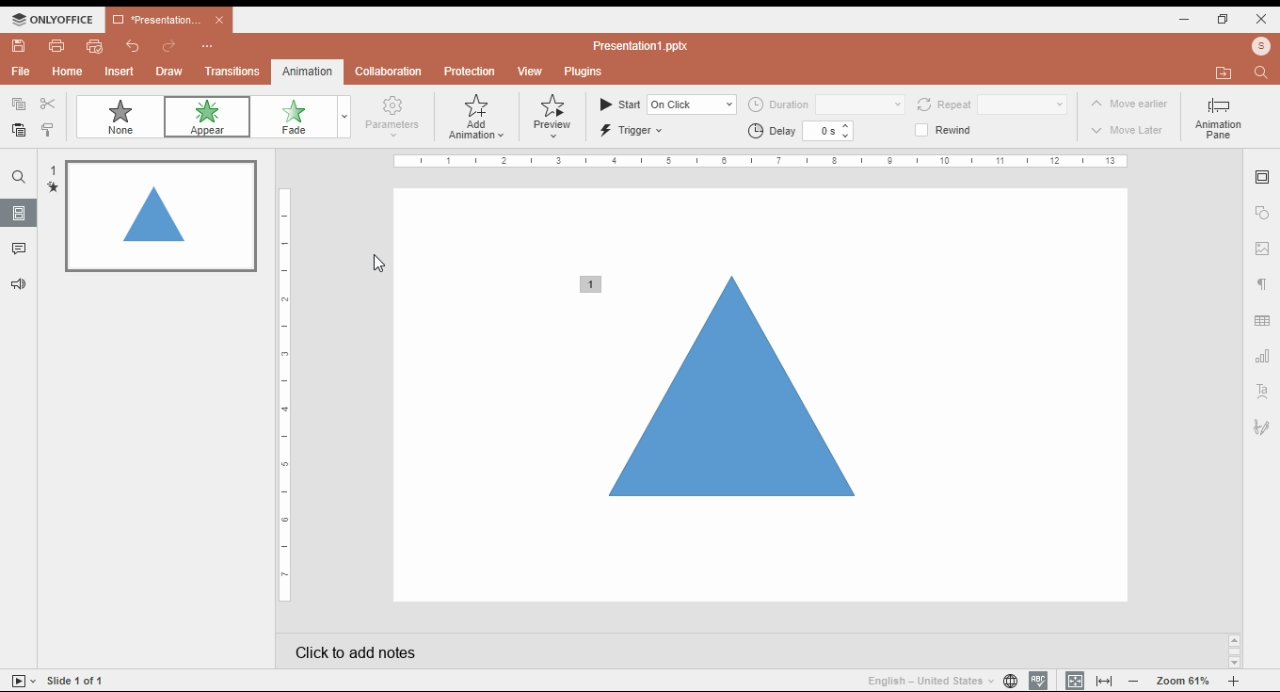 The image size is (1280, 692). What do you see at coordinates (959, 130) in the screenshot?
I see `rewind` at bounding box center [959, 130].